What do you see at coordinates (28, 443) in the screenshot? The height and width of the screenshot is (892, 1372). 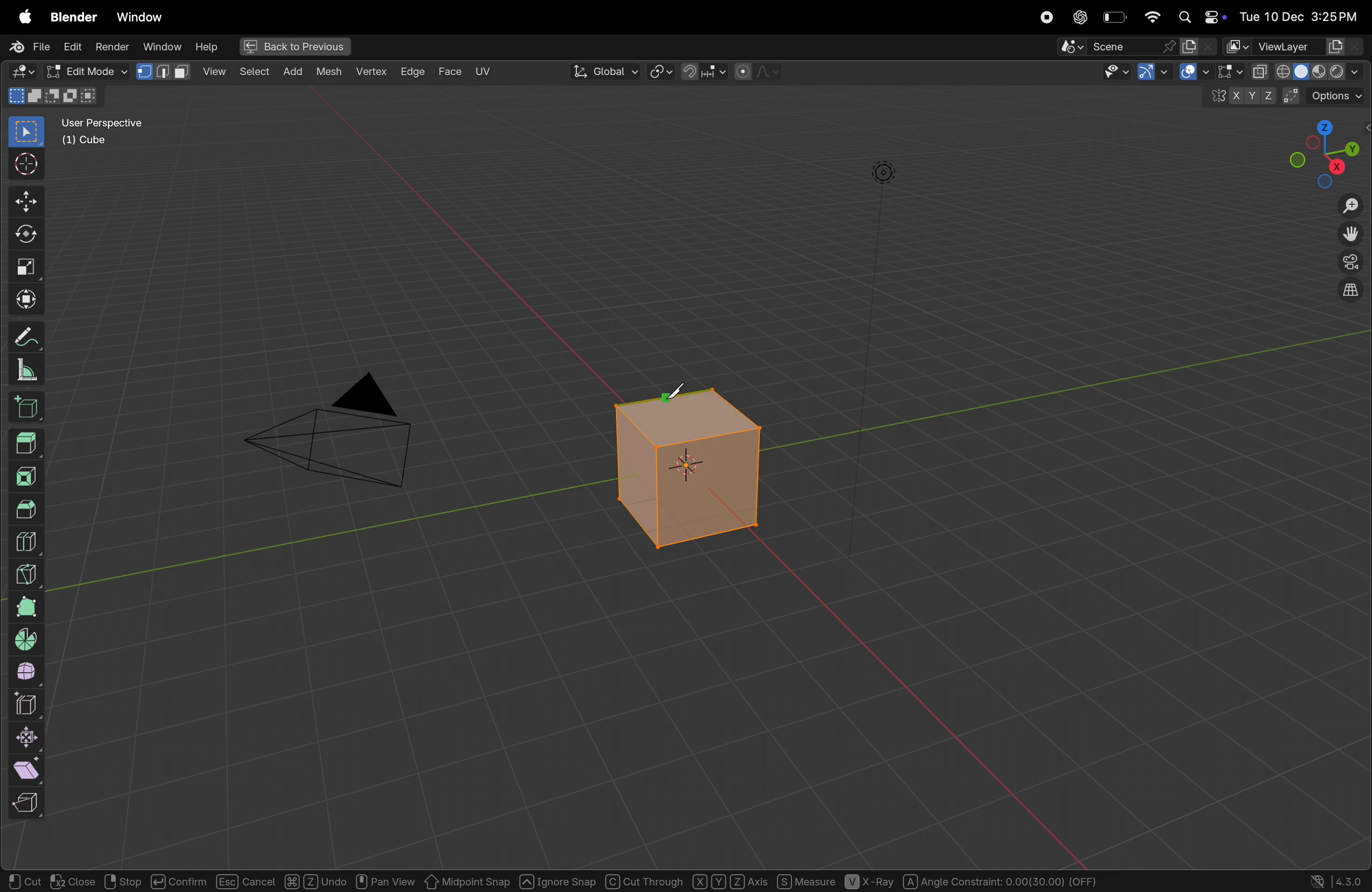 I see `Extrude region` at bounding box center [28, 443].